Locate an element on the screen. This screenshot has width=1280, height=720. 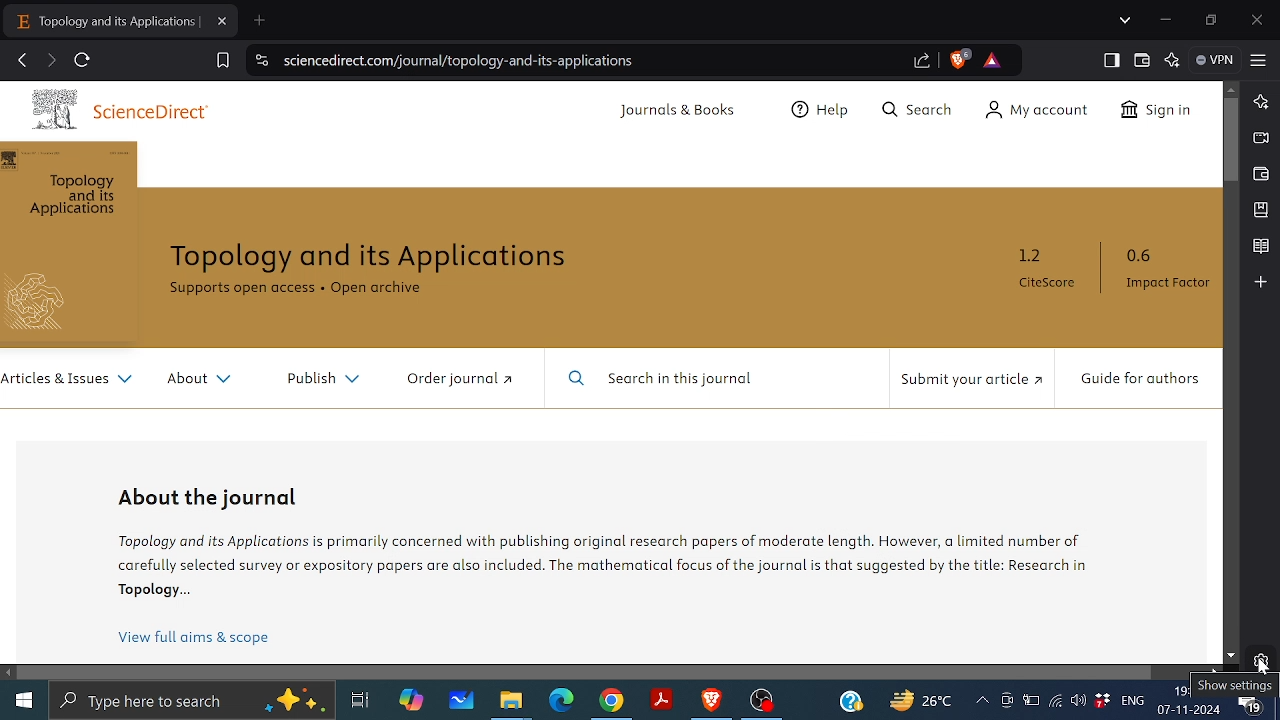
OBS studio is located at coordinates (763, 701).